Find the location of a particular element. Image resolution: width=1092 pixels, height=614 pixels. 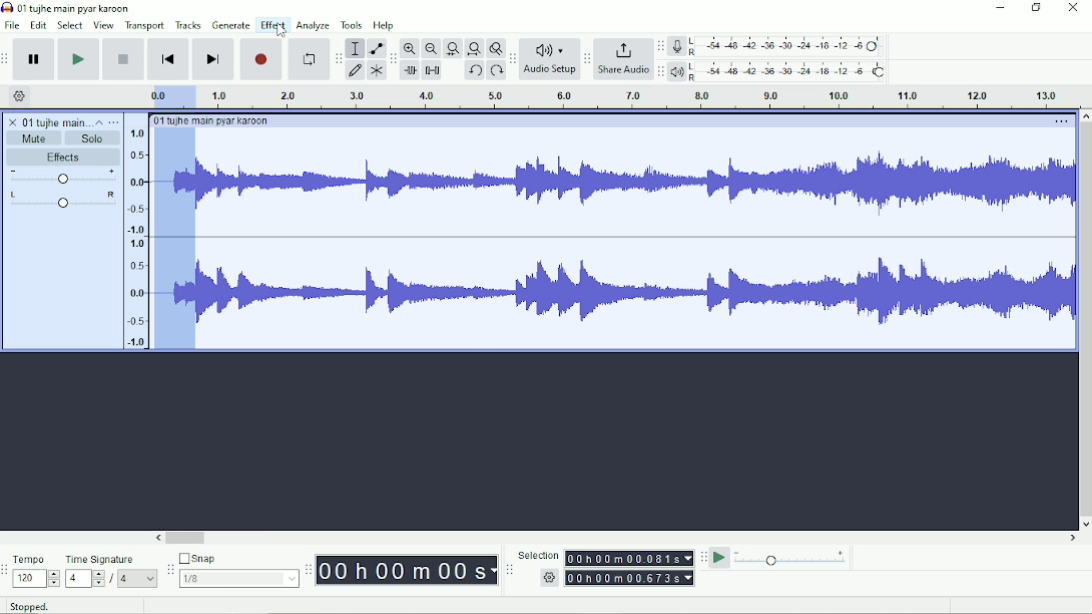

Share Audio is located at coordinates (622, 71).